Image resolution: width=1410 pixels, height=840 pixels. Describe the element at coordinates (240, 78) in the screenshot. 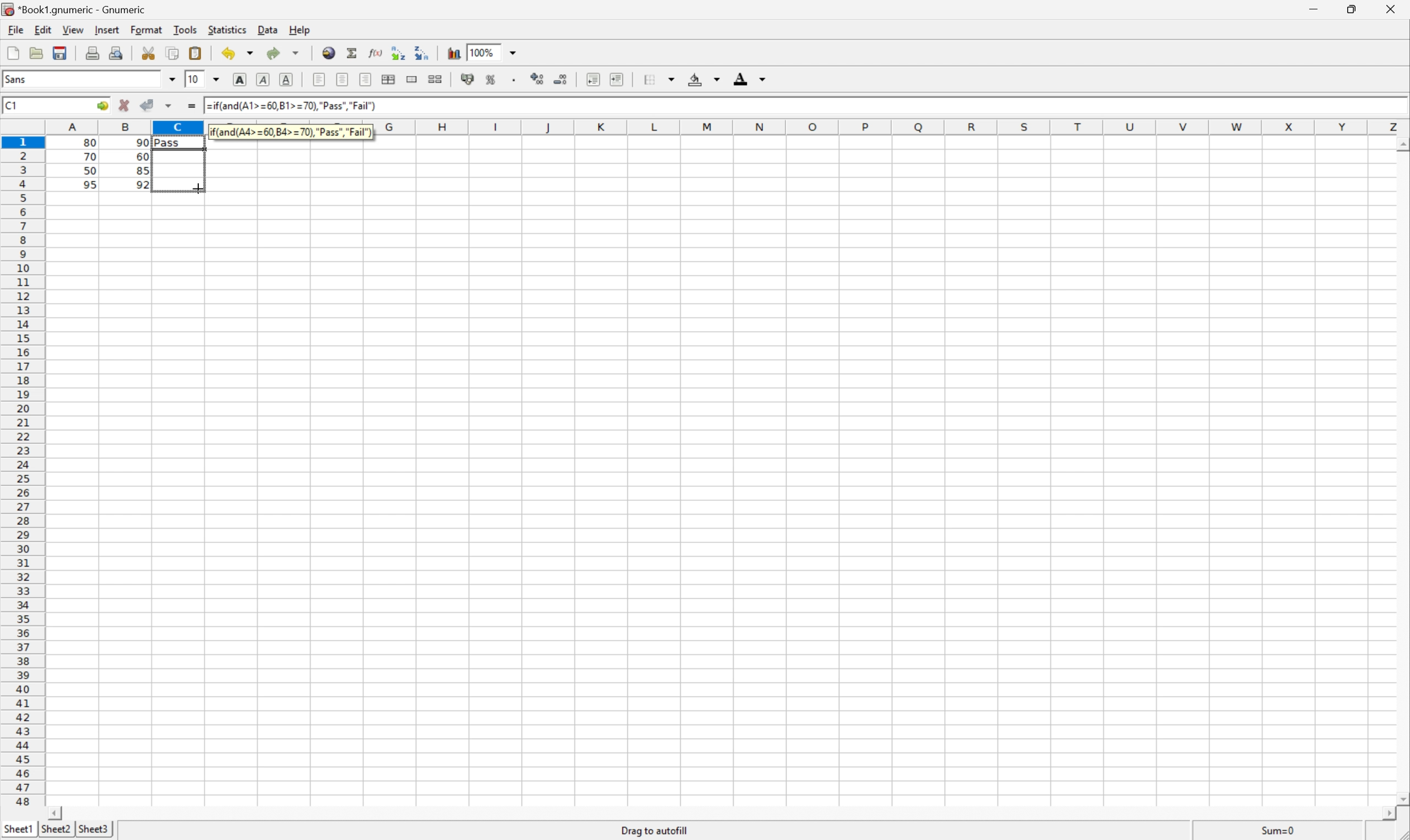

I see `Bold` at that location.